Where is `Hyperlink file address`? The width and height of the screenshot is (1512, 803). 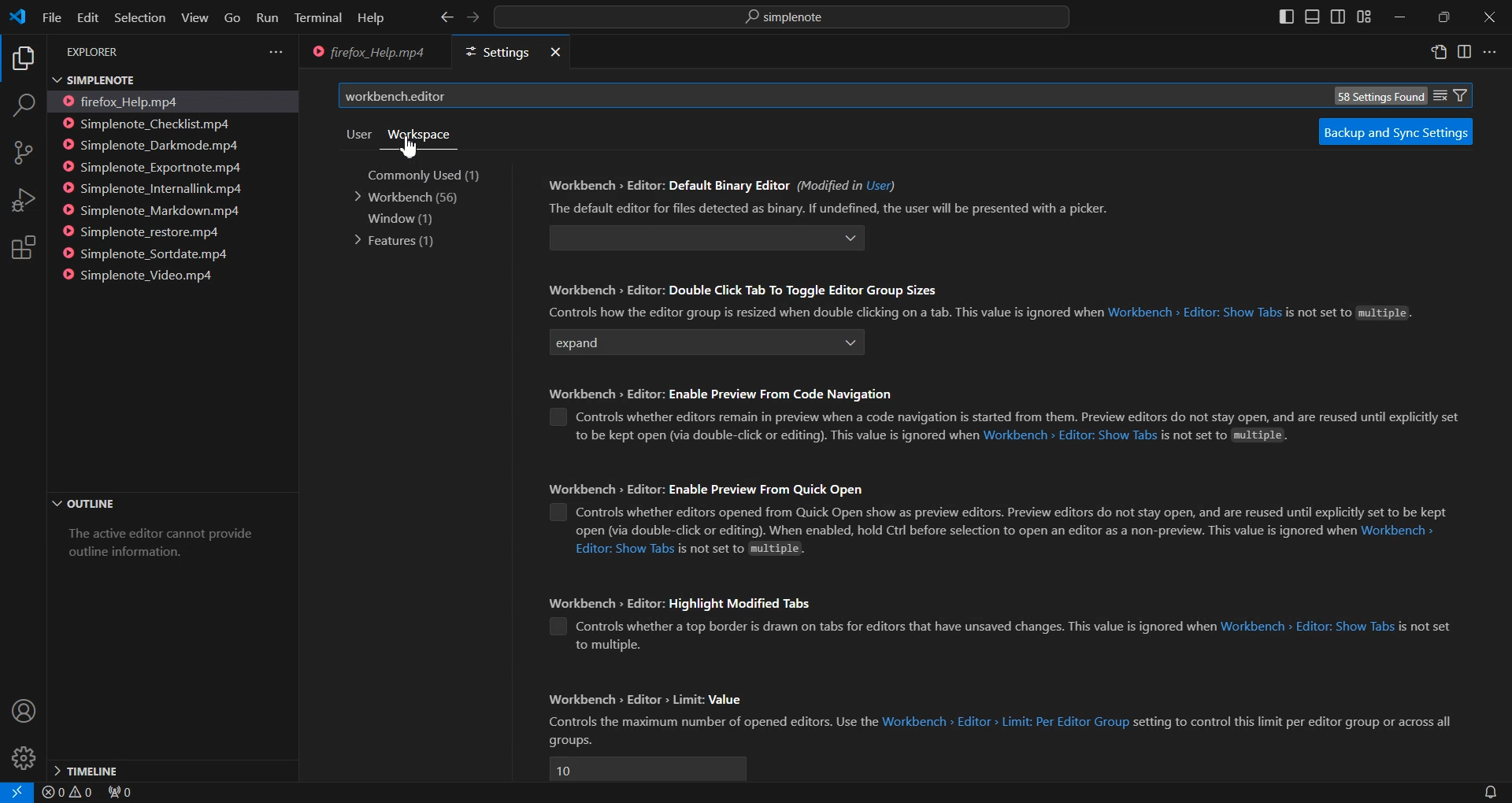 Hyperlink file address is located at coordinates (1006, 721).